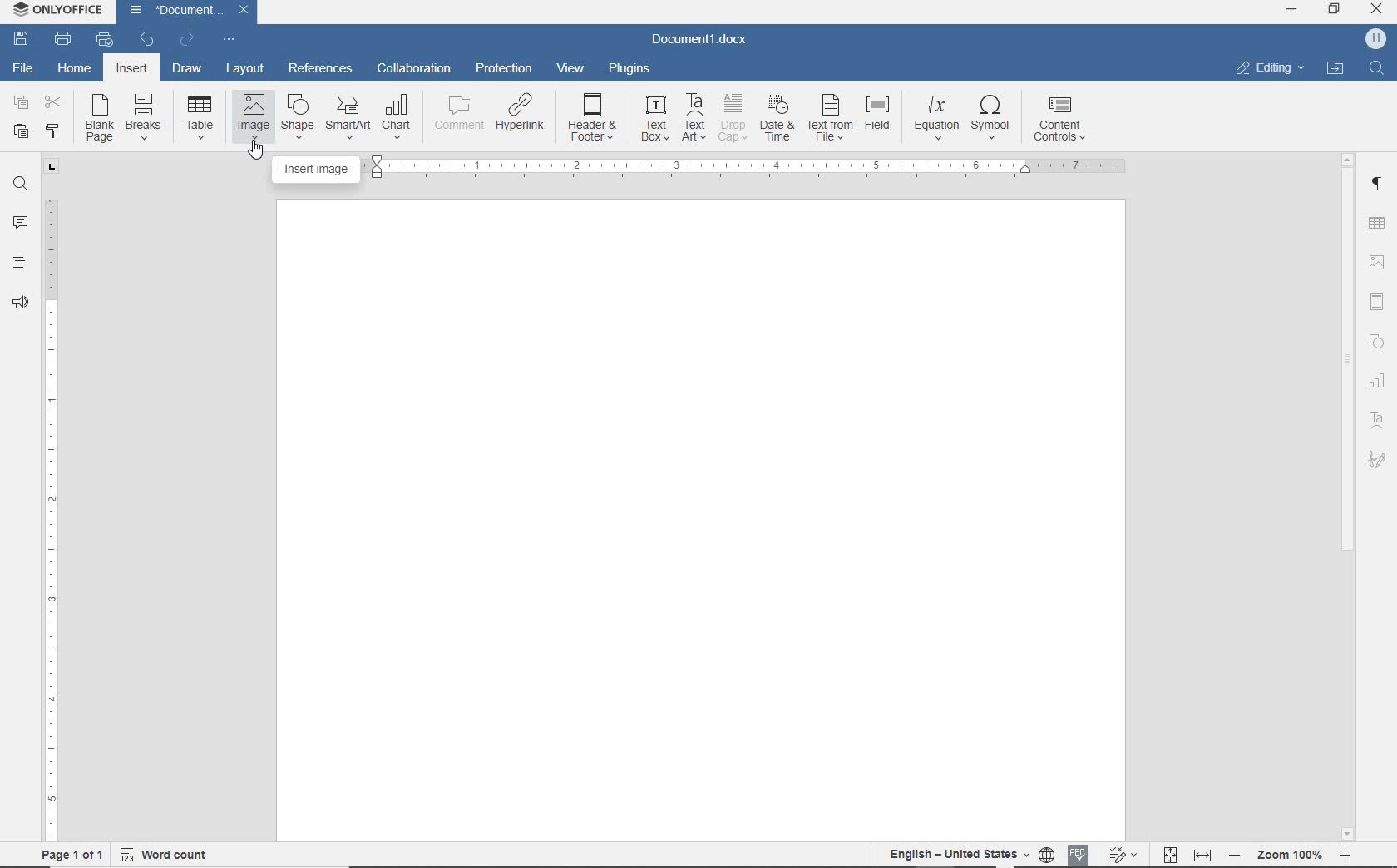  I want to click on references, so click(322, 69).